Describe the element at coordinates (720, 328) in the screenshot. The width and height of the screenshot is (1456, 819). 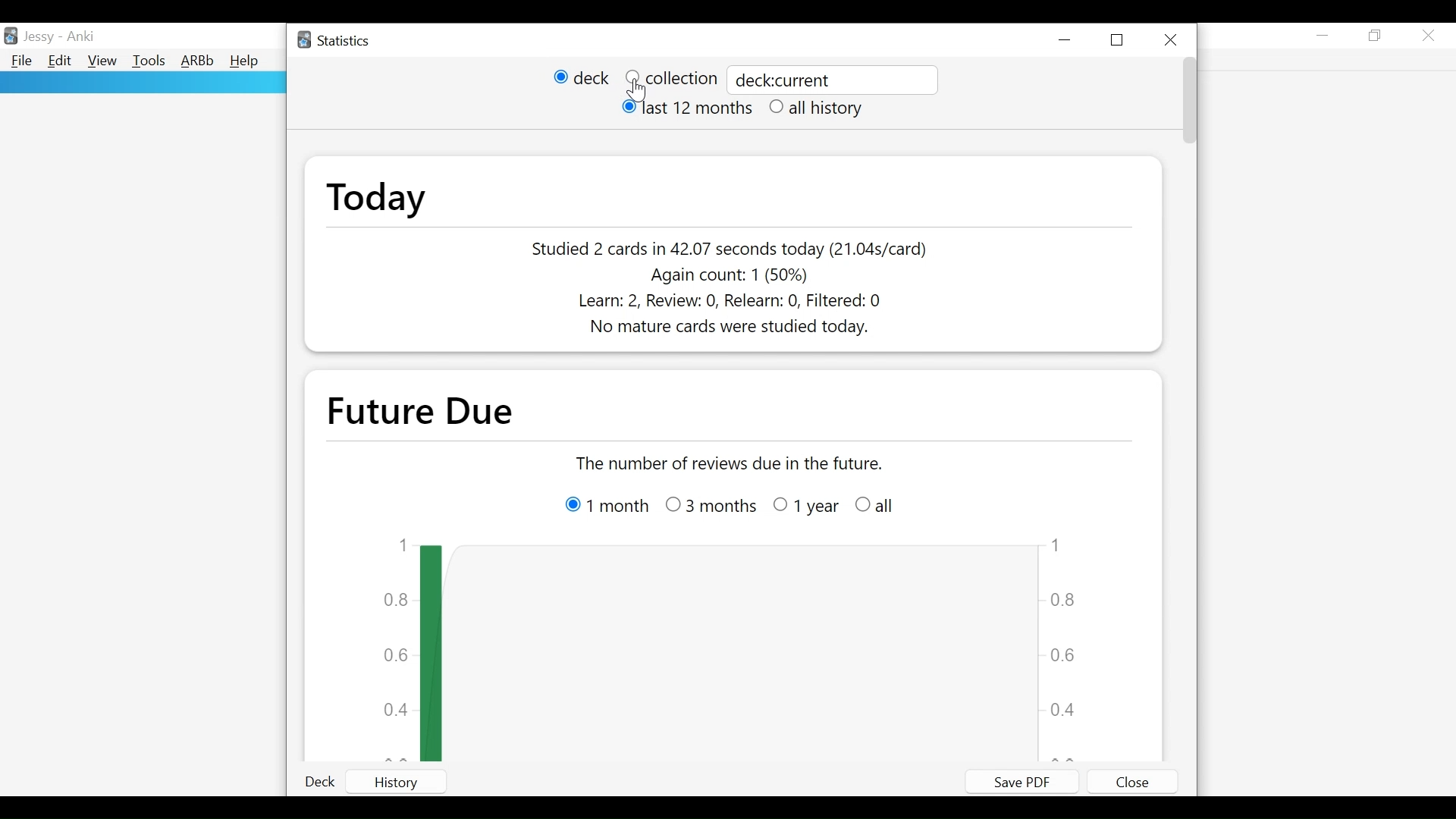
I see `No mature cards were studied today` at that location.